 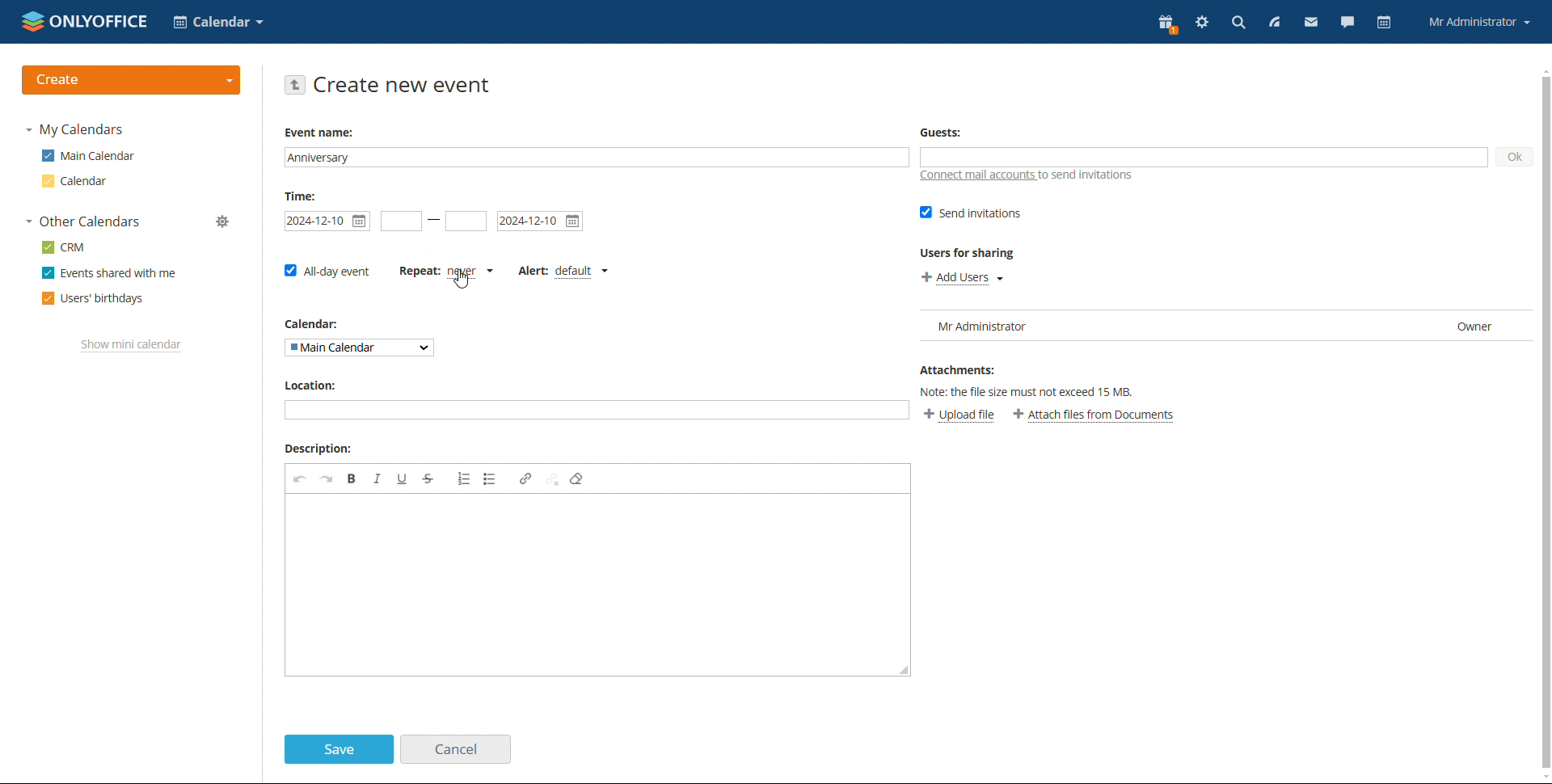 What do you see at coordinates (466, 285) in the screenshot?
I see `cursor` at bounding box center [466, 285].